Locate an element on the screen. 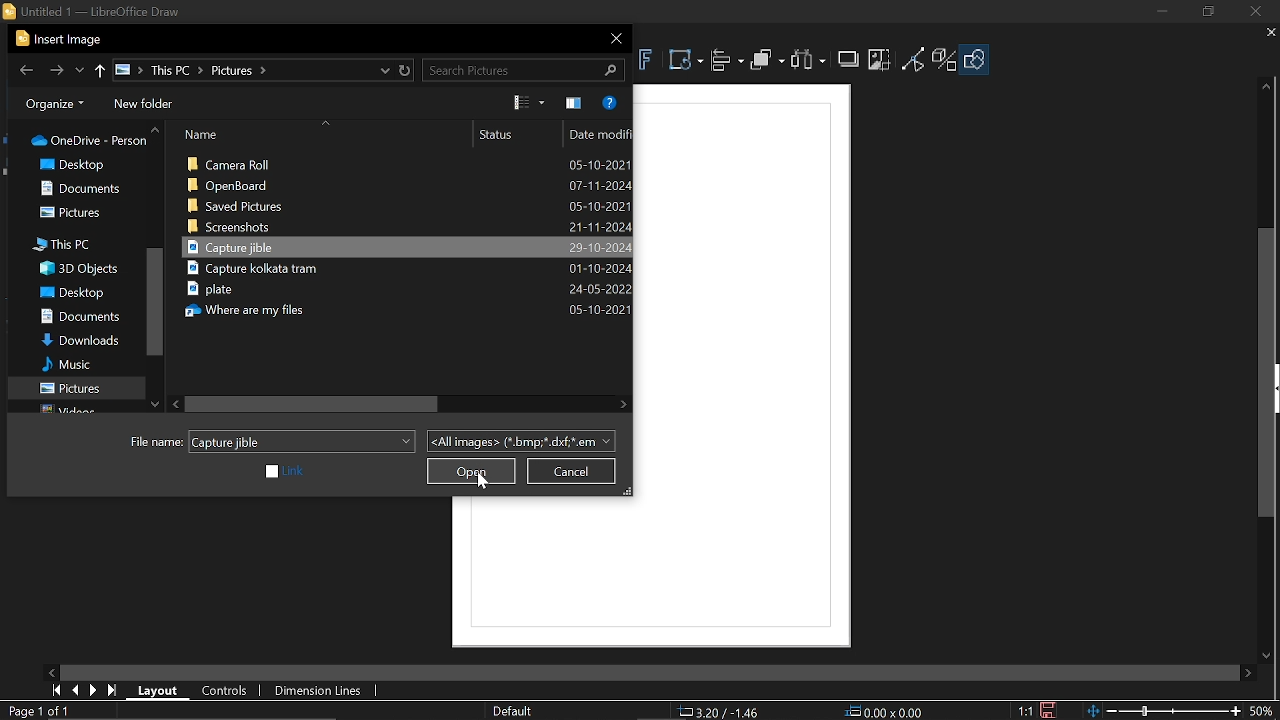  Previous folder is located at coordinates (101, 70).